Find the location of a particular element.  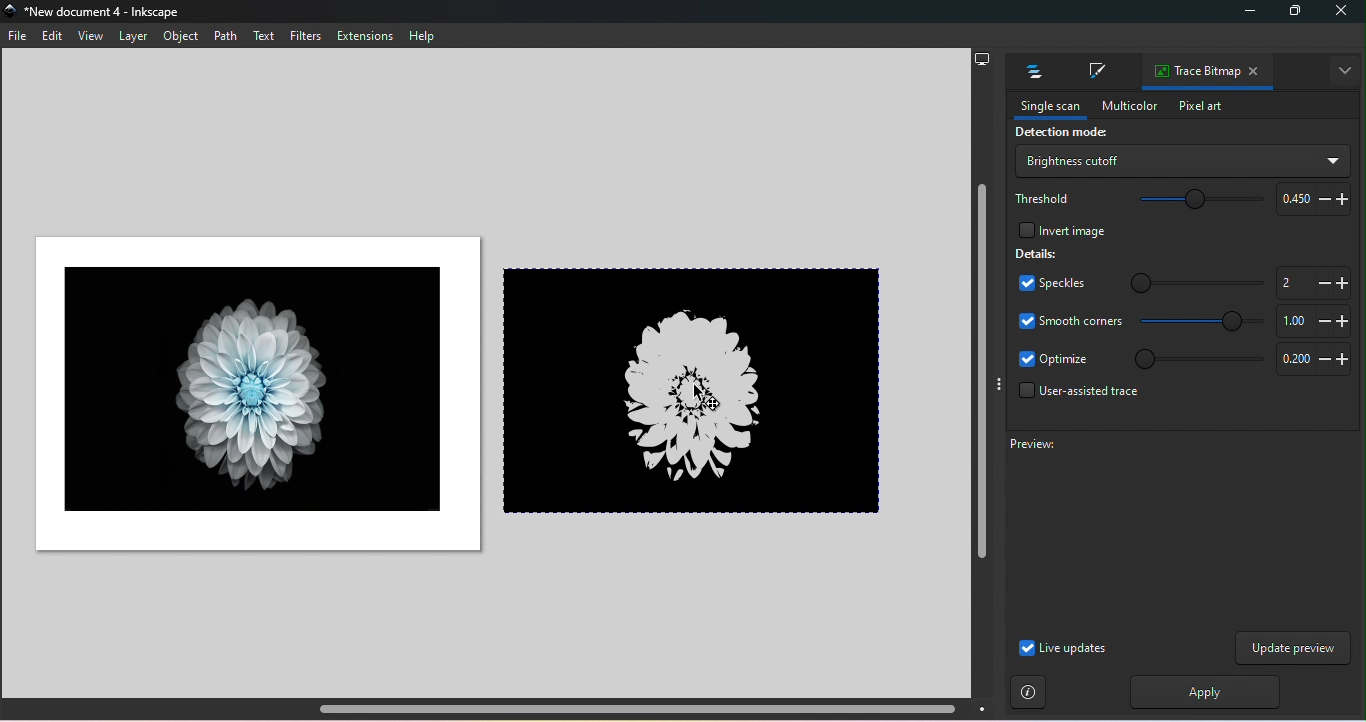

Preview is located at coordinates (1167, 531).